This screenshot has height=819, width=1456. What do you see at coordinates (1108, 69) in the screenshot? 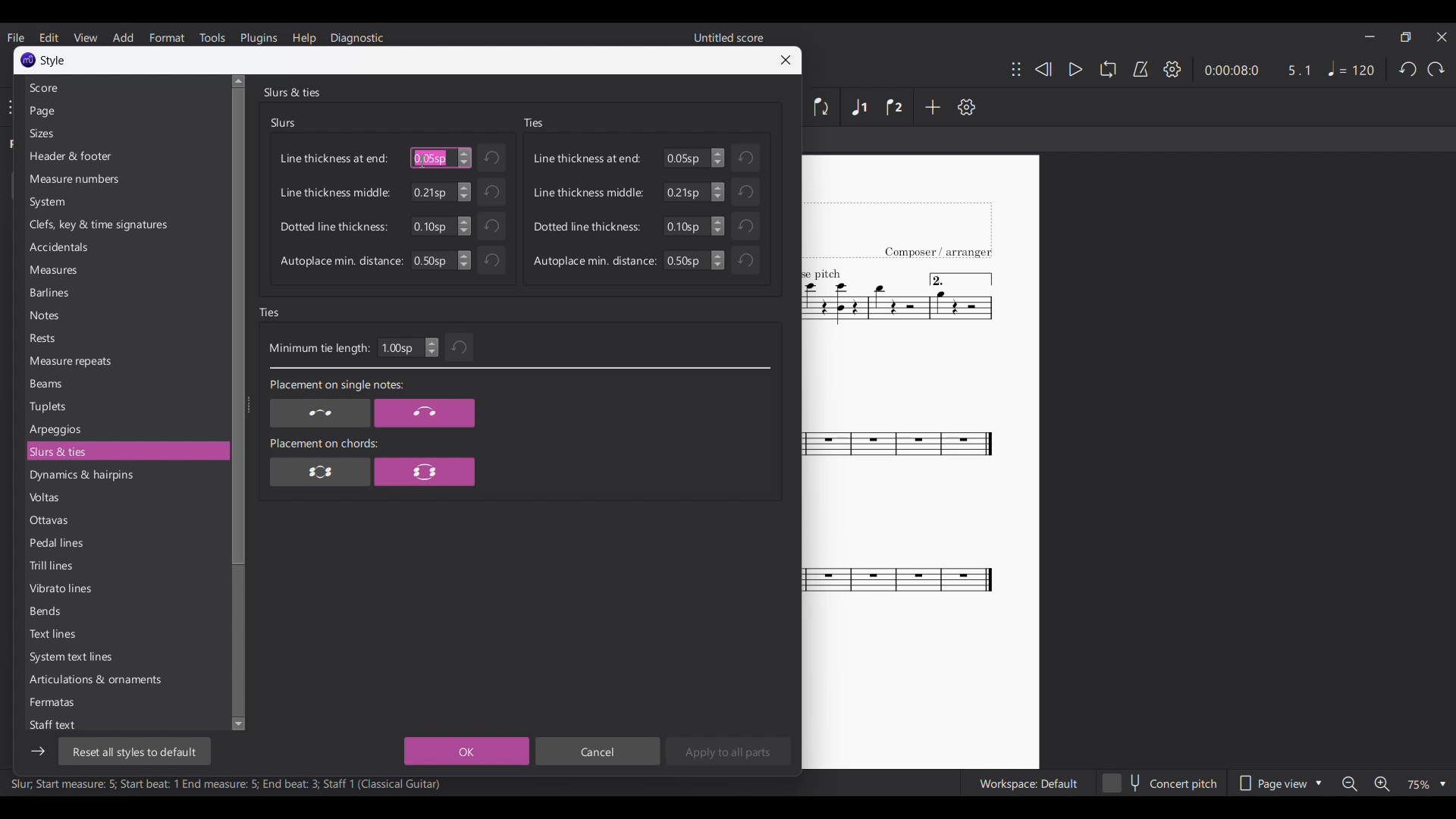
I see `Loop playback` at bounding box center [1108, 69].